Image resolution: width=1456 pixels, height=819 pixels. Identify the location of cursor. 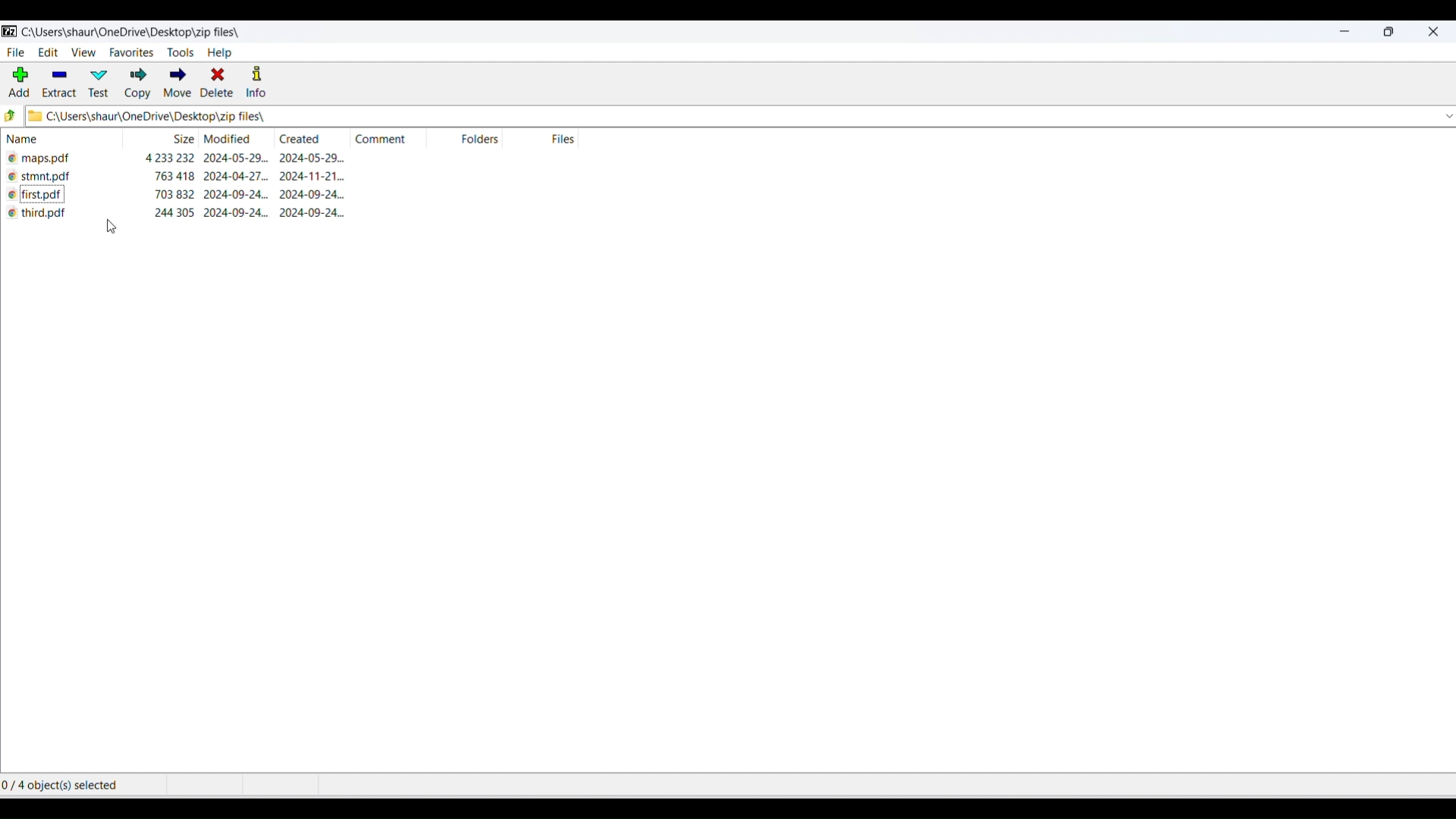
(112, 228).